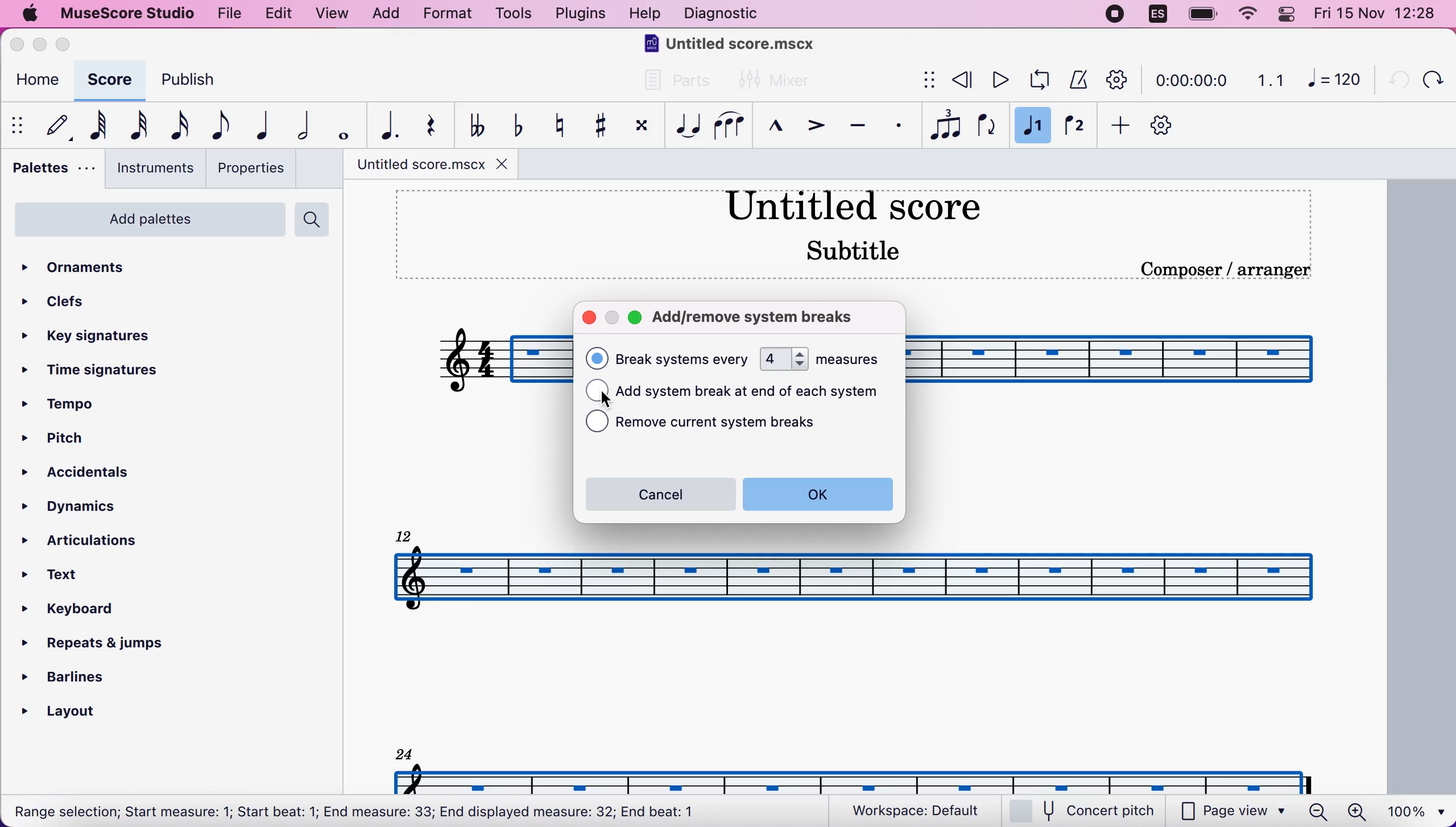 The image size is (1456, 827). I want to click on file, so click(227, 12).